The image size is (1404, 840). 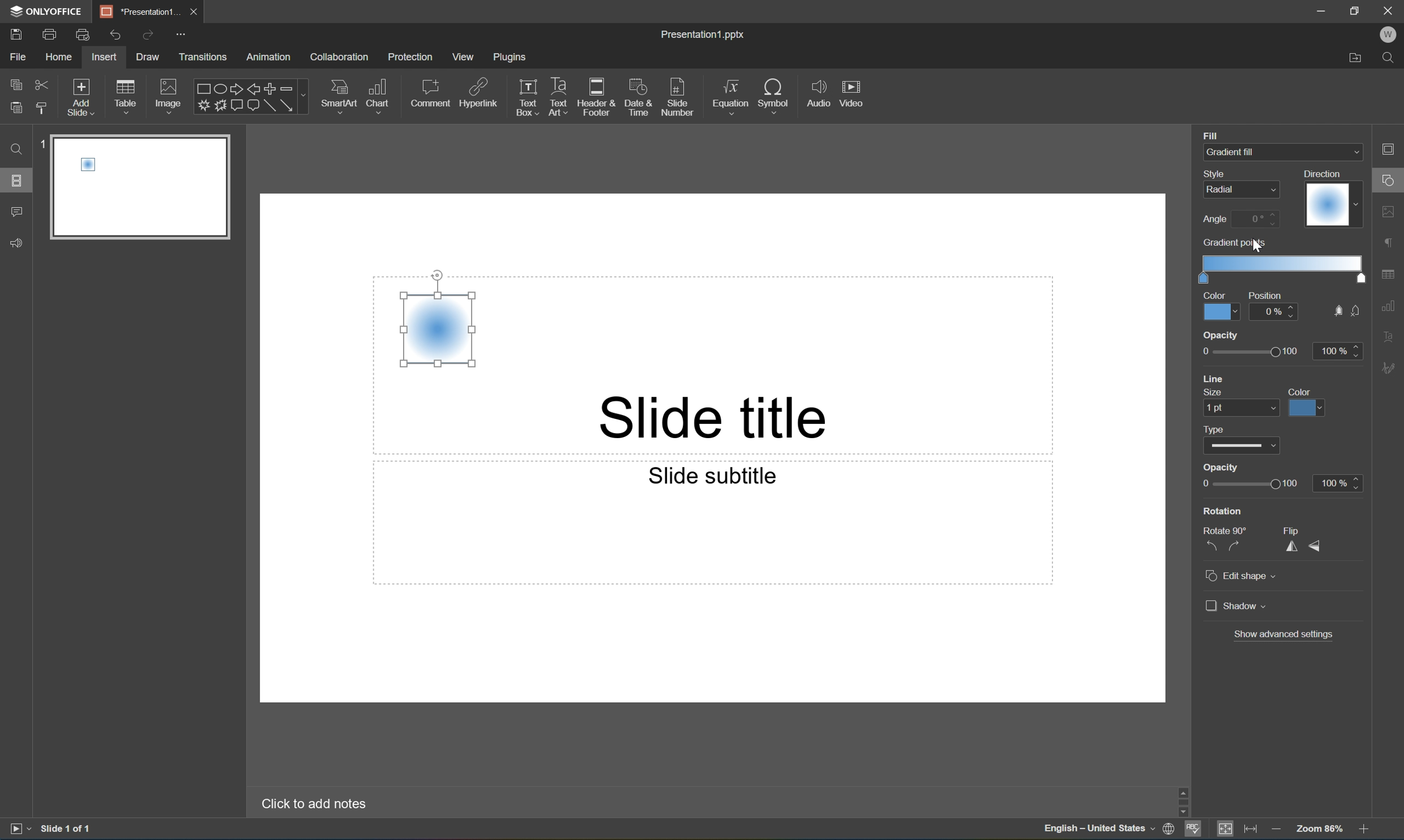 What do you see at coordinates (510, 57) in the screenshot?
I see `Plugins` at bounding box center [510, 57].